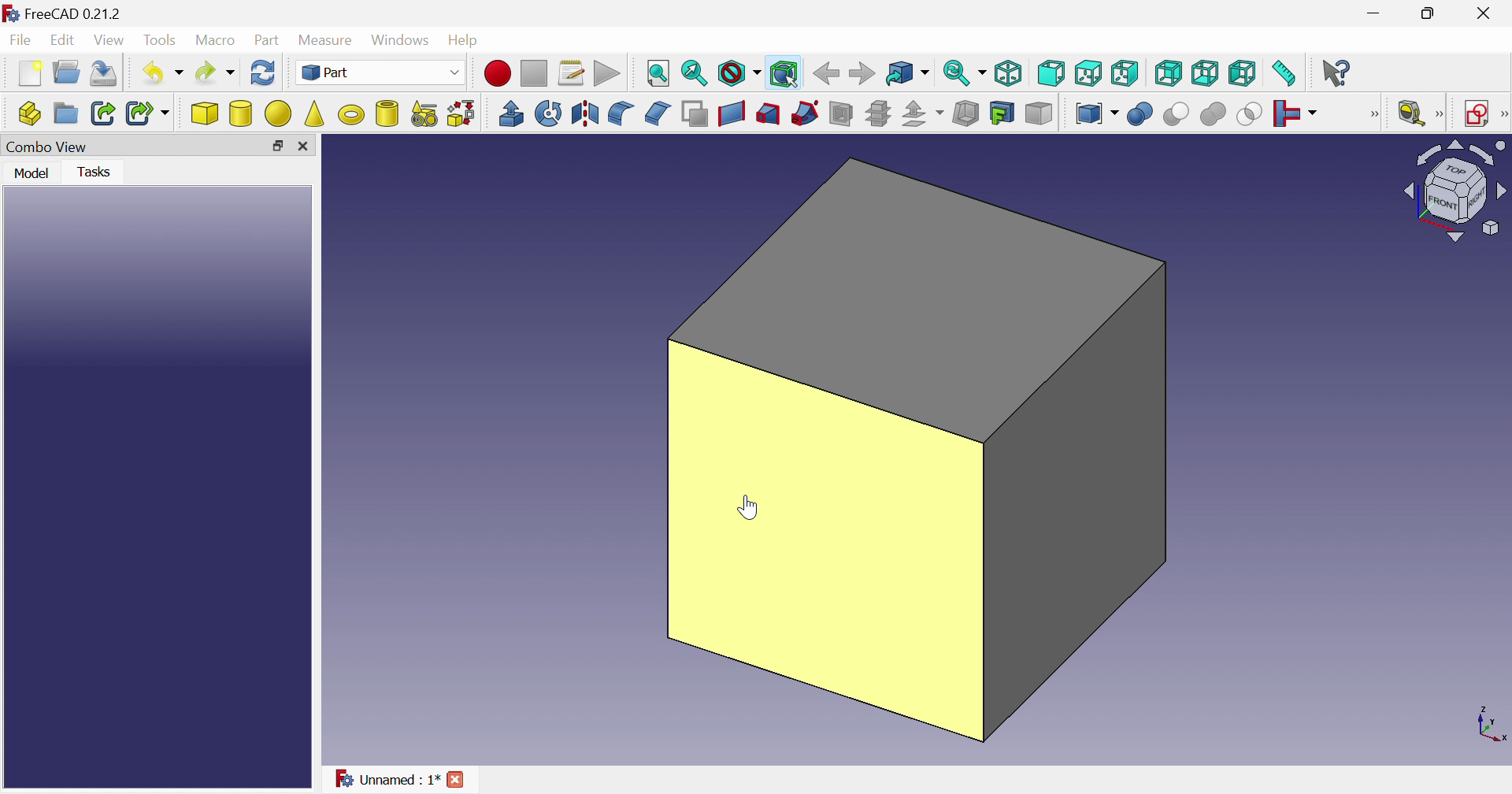 The width and height of the screenshot is (1512, 794). What do you see at coordinates (1295, 114) in the screenshot?
I see `Join objects...` at bounding box center [1295, 114].